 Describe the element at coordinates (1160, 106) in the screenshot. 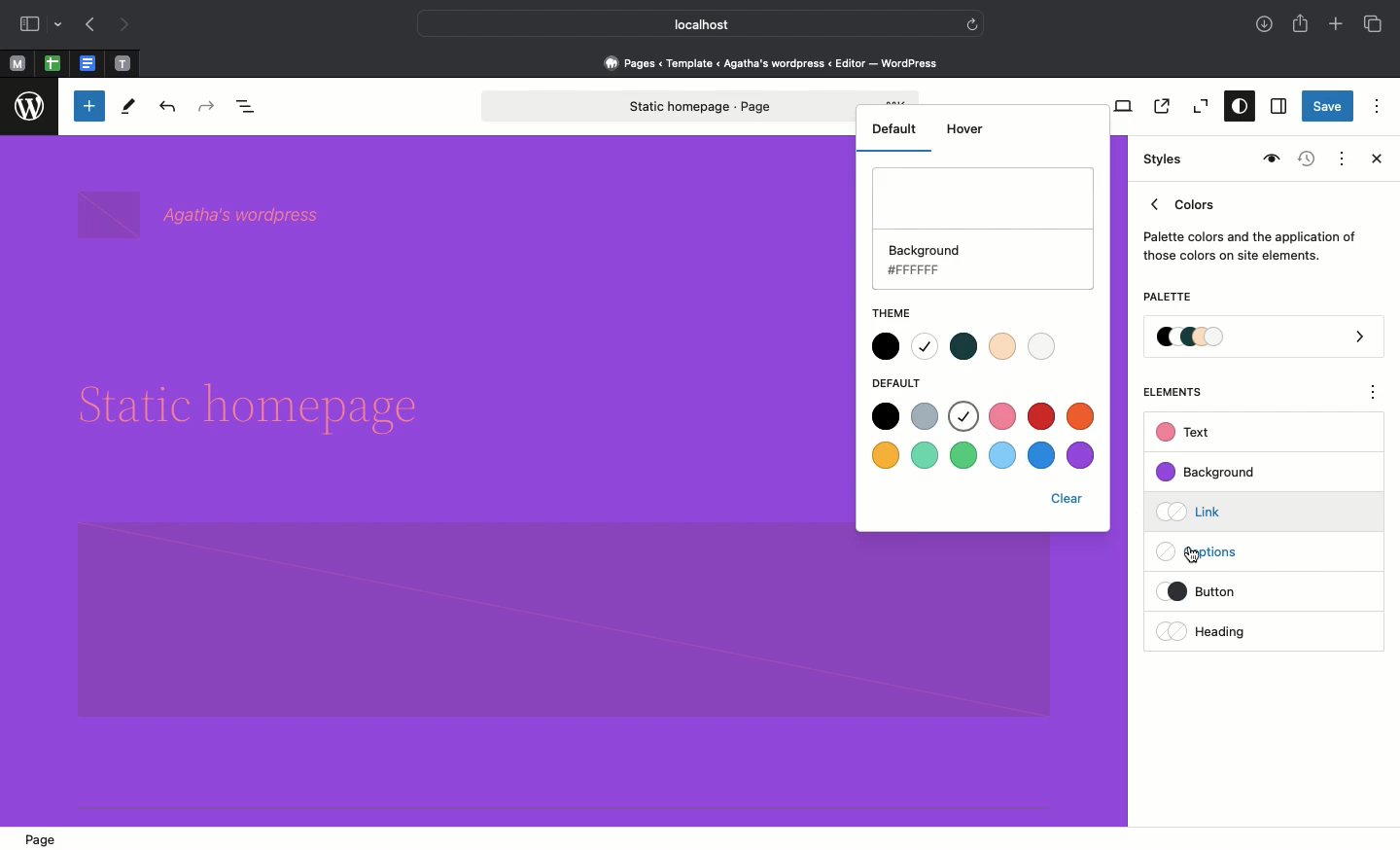

I see `View page` at that location.